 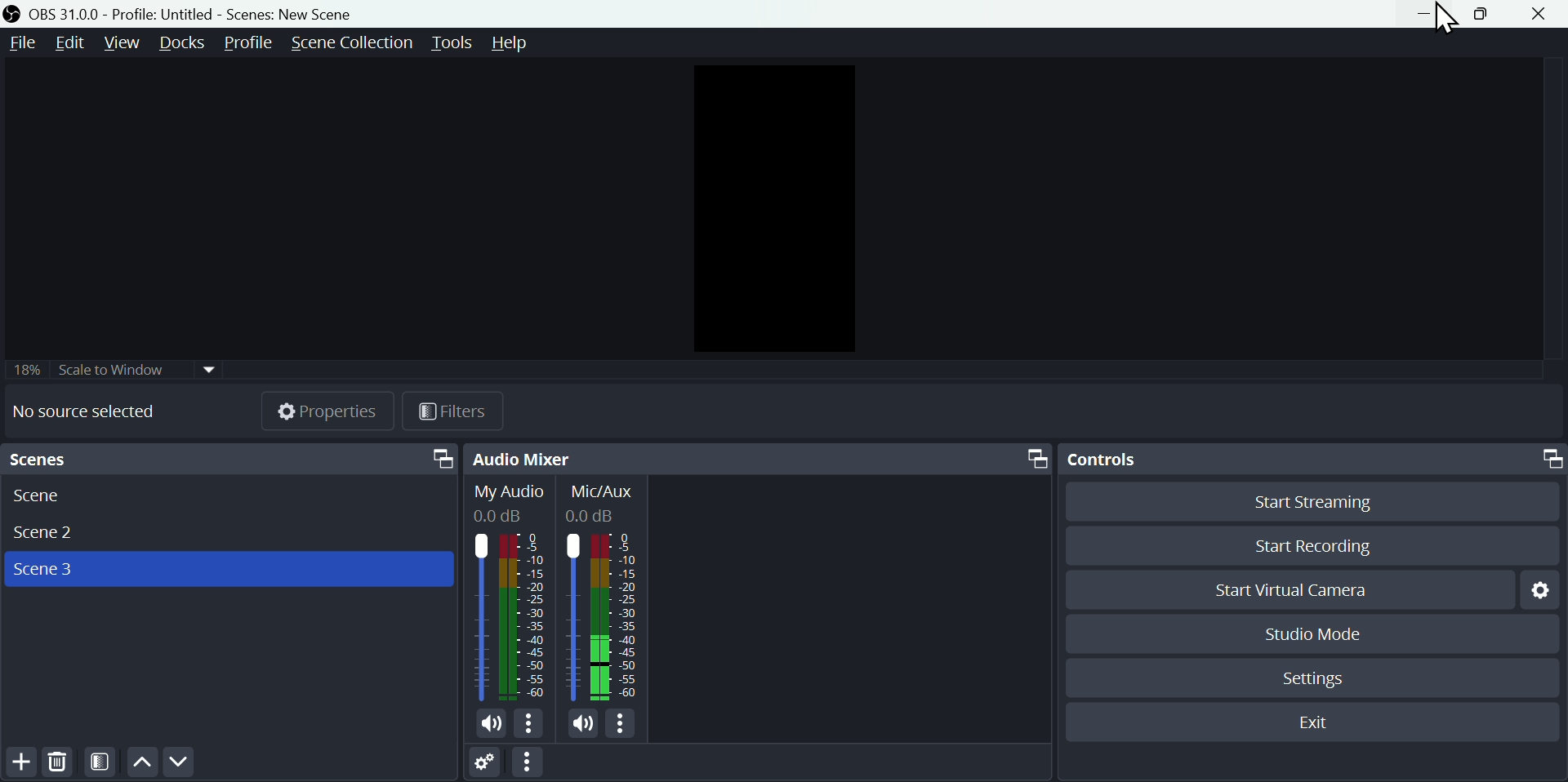 I want to click on Move up, so click(x=141, y=764).